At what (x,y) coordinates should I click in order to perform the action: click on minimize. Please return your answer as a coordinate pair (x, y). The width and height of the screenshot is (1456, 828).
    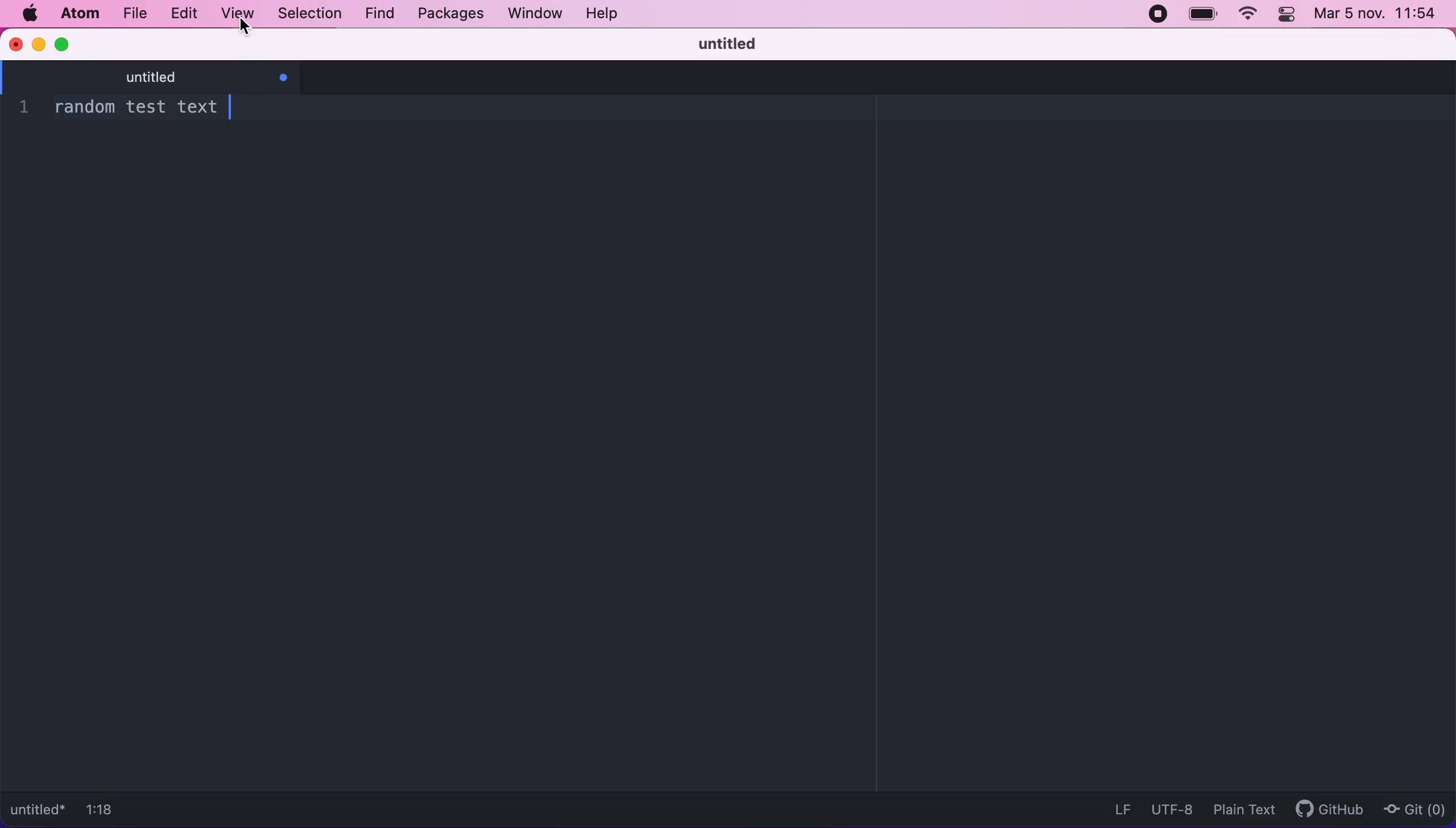
    Looking at the image, I should click on (38, 43).